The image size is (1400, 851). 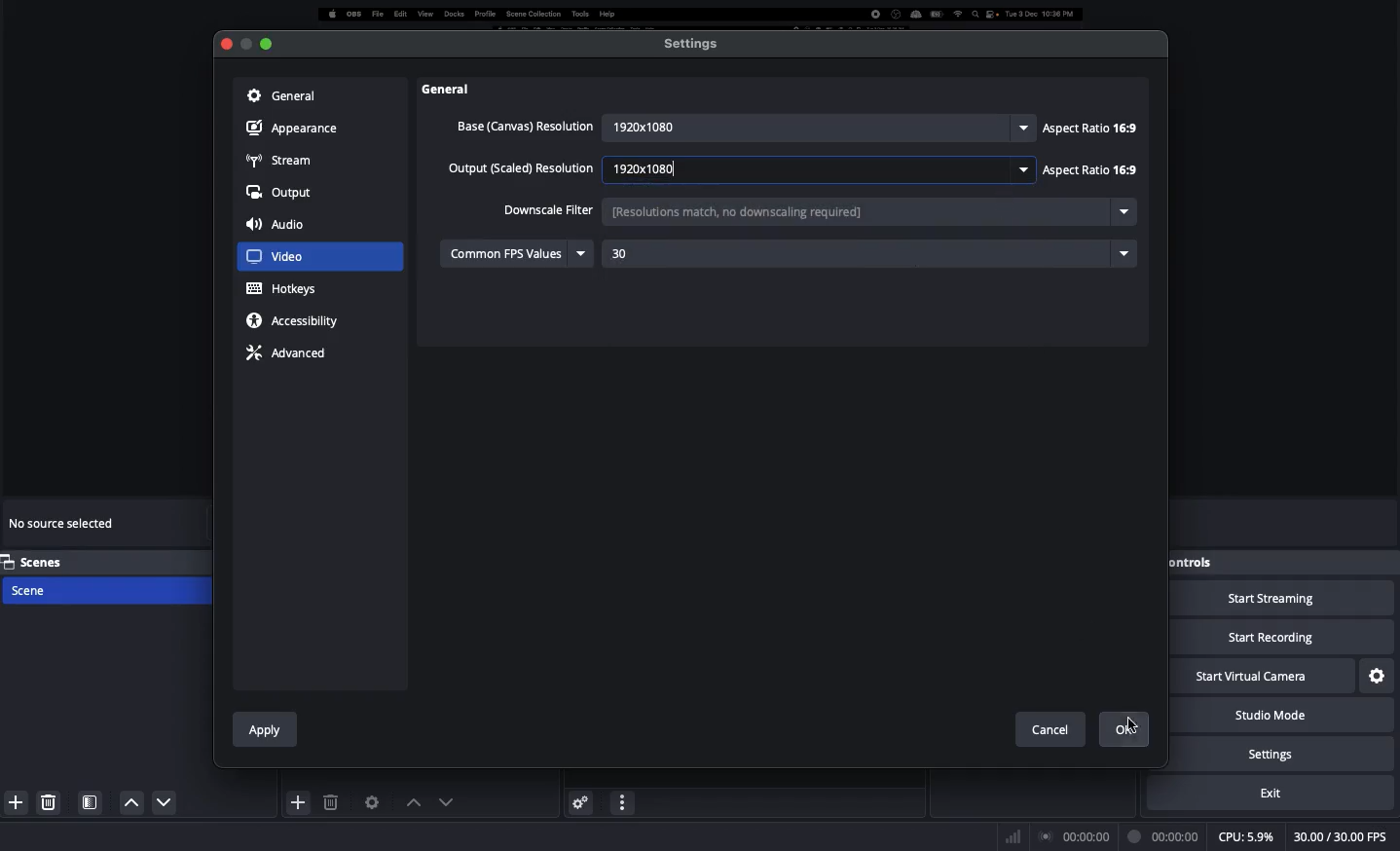 What do you see at coordinates (1087, 173) in the screenshot?
I see `Aspect ratio: 16:10` at bounding box center [1087, 173].